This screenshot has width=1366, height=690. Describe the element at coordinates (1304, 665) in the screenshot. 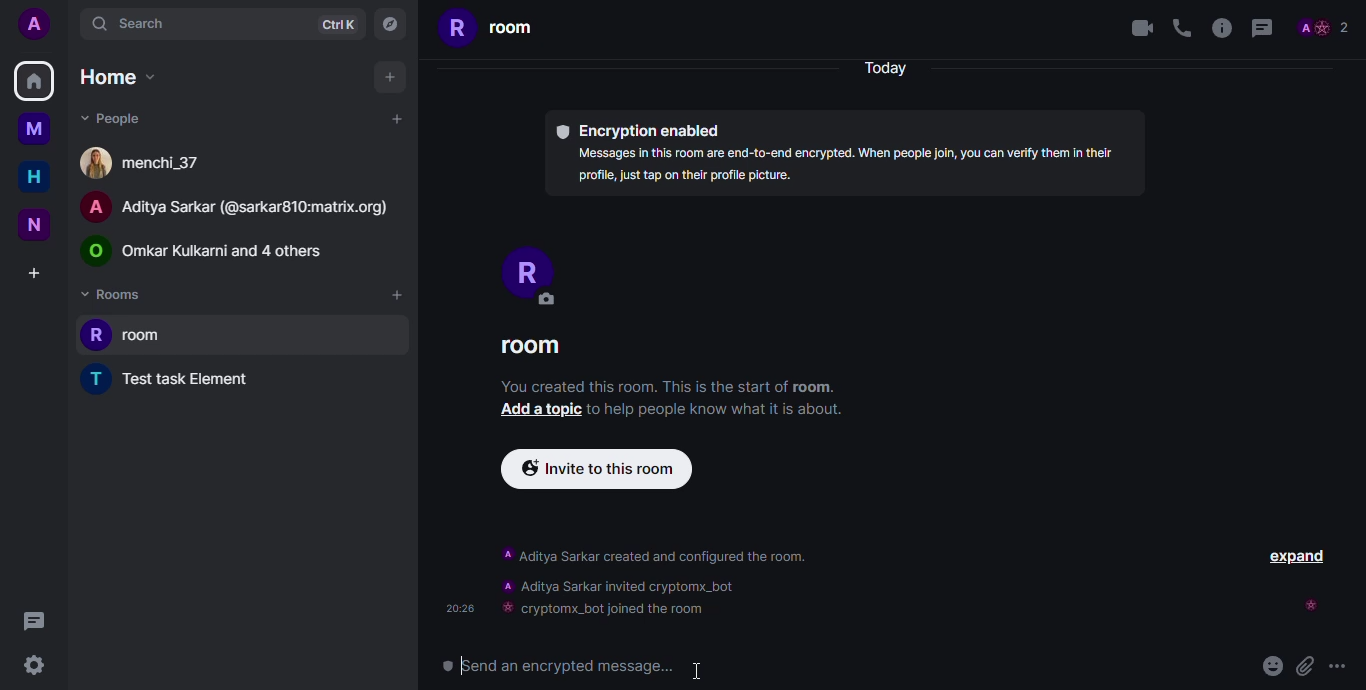

I see `attach` at that location.